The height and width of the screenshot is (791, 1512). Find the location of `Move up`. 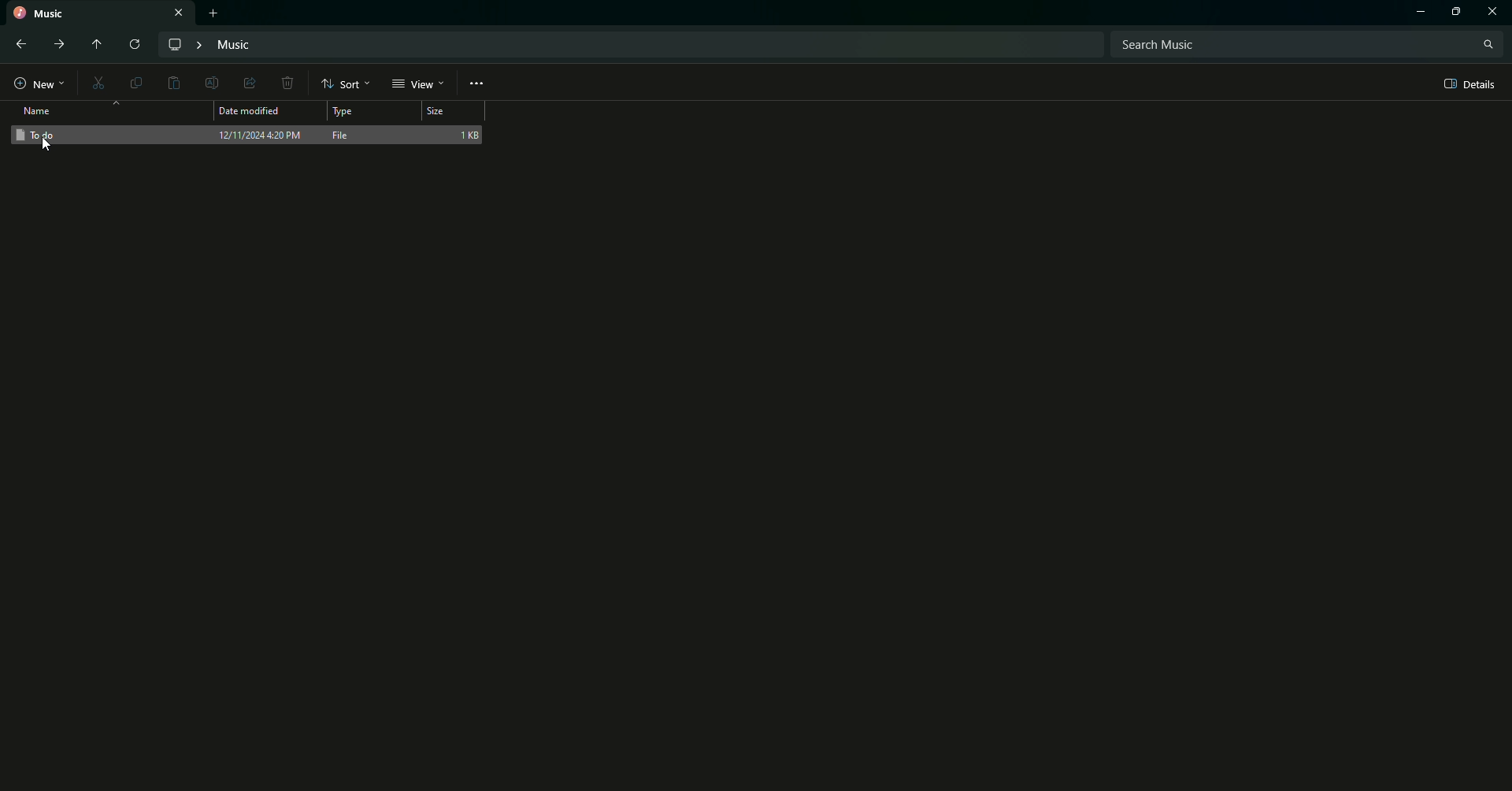

Move up is located at coordinates (94, 43).